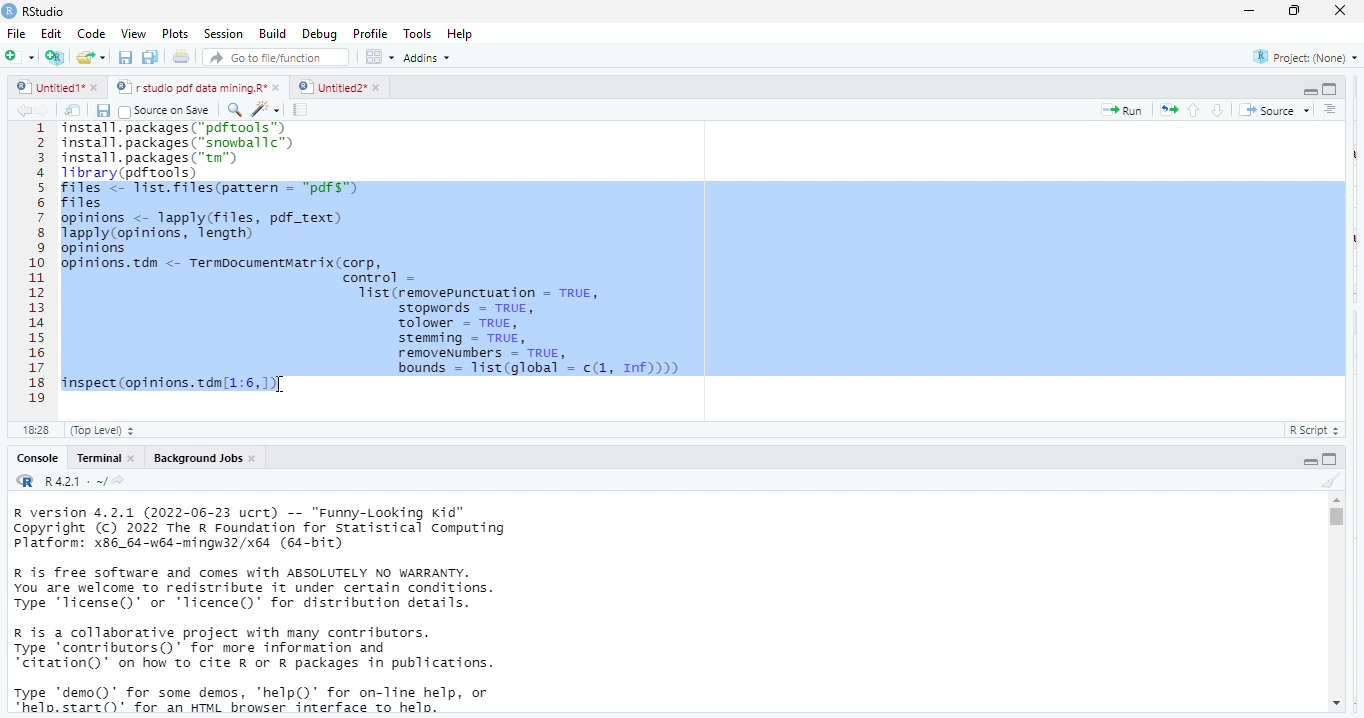 This screenshot has width=1364, height=718. What do you see at coordinates (97, 458) in the screenshot?
I see `terminal` at bounding box center [97, 458].